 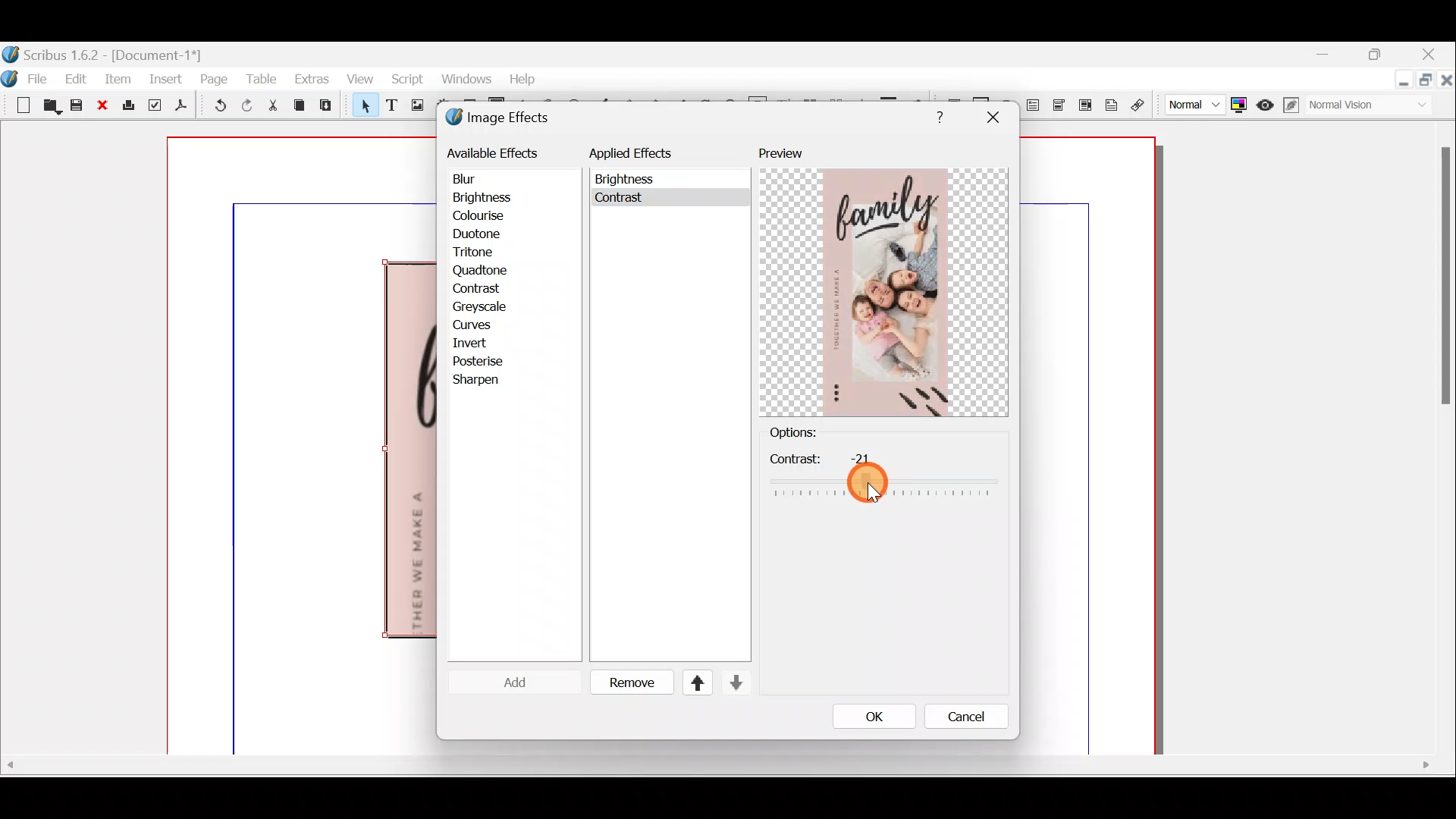 I want to click on canvas, so click(x=1089, y=447).